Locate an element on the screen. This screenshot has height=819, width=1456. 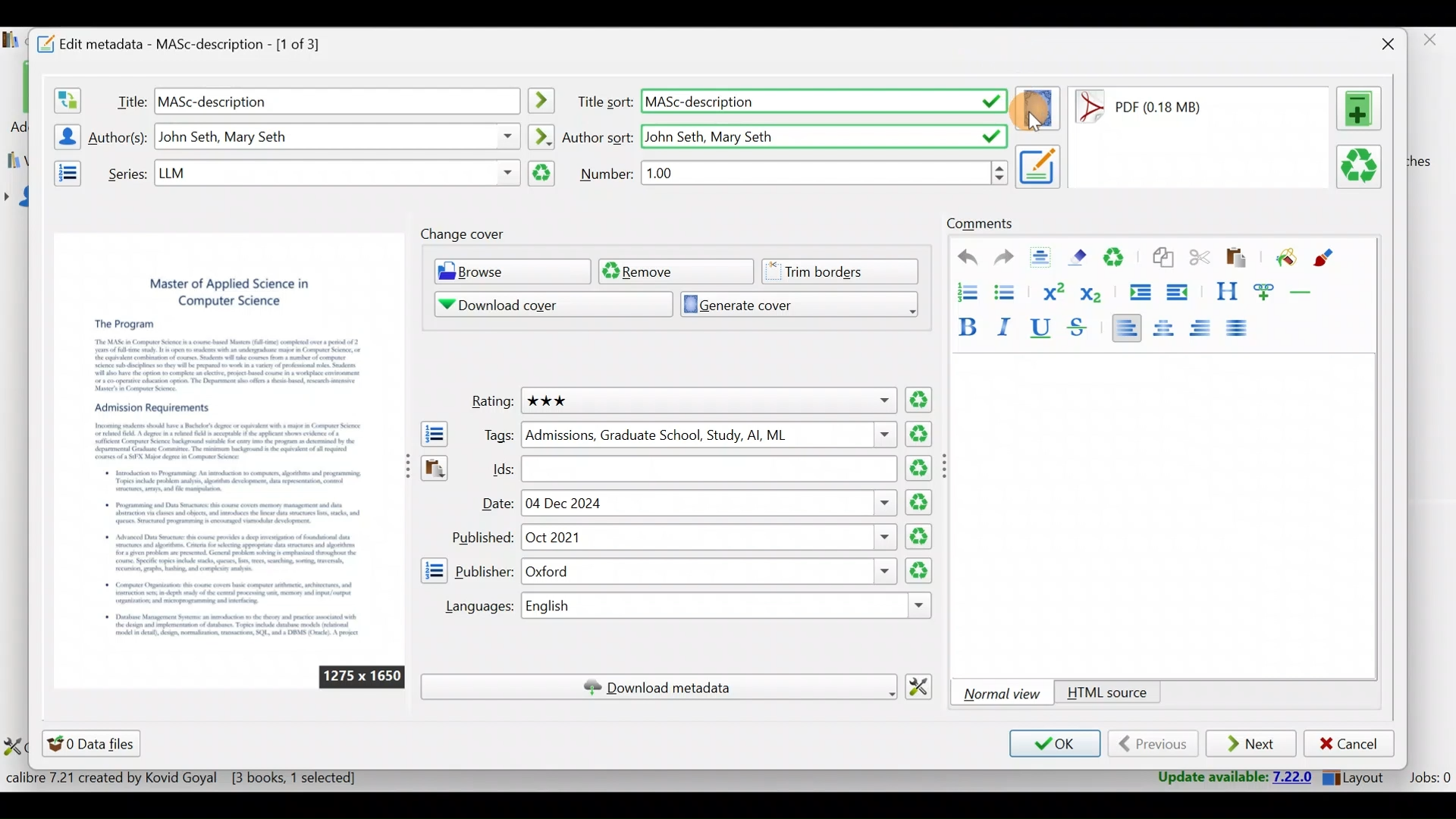
 Close is located at coordinates (1432, 44).